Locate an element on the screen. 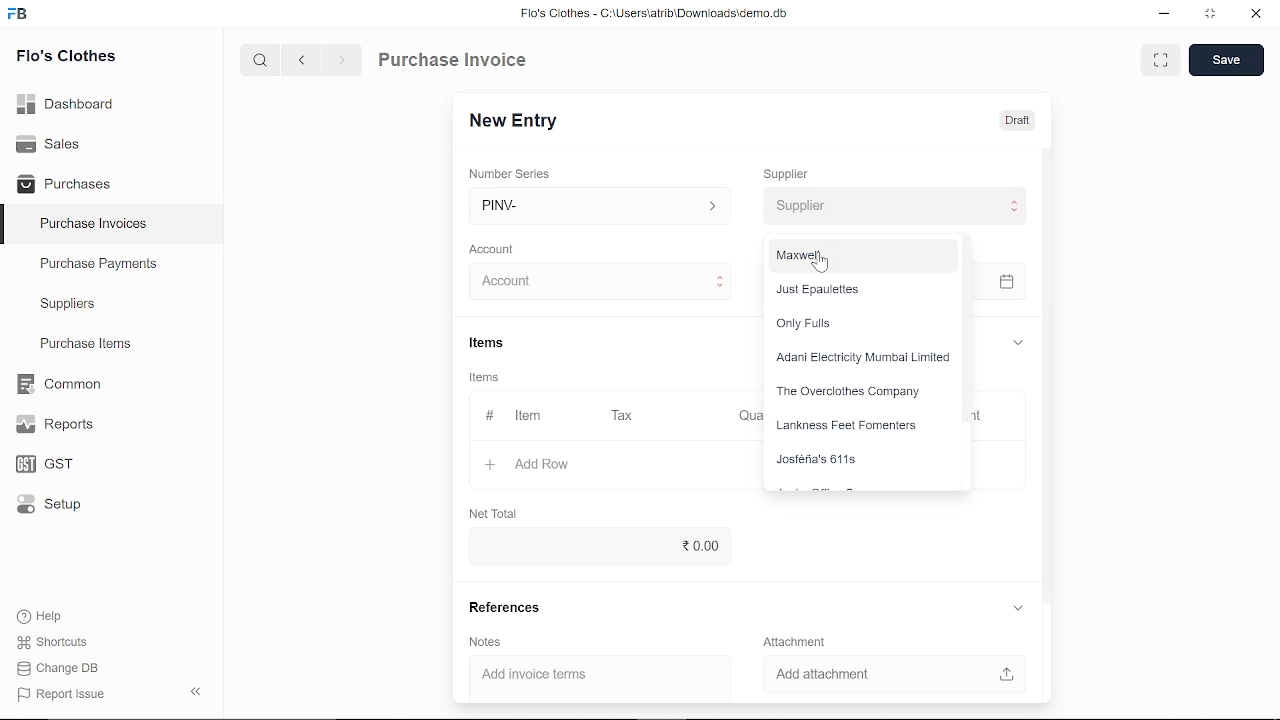 Image resolution: width=1280 pixels, height=720 pixels. hide is located at coordinates (192, 693).